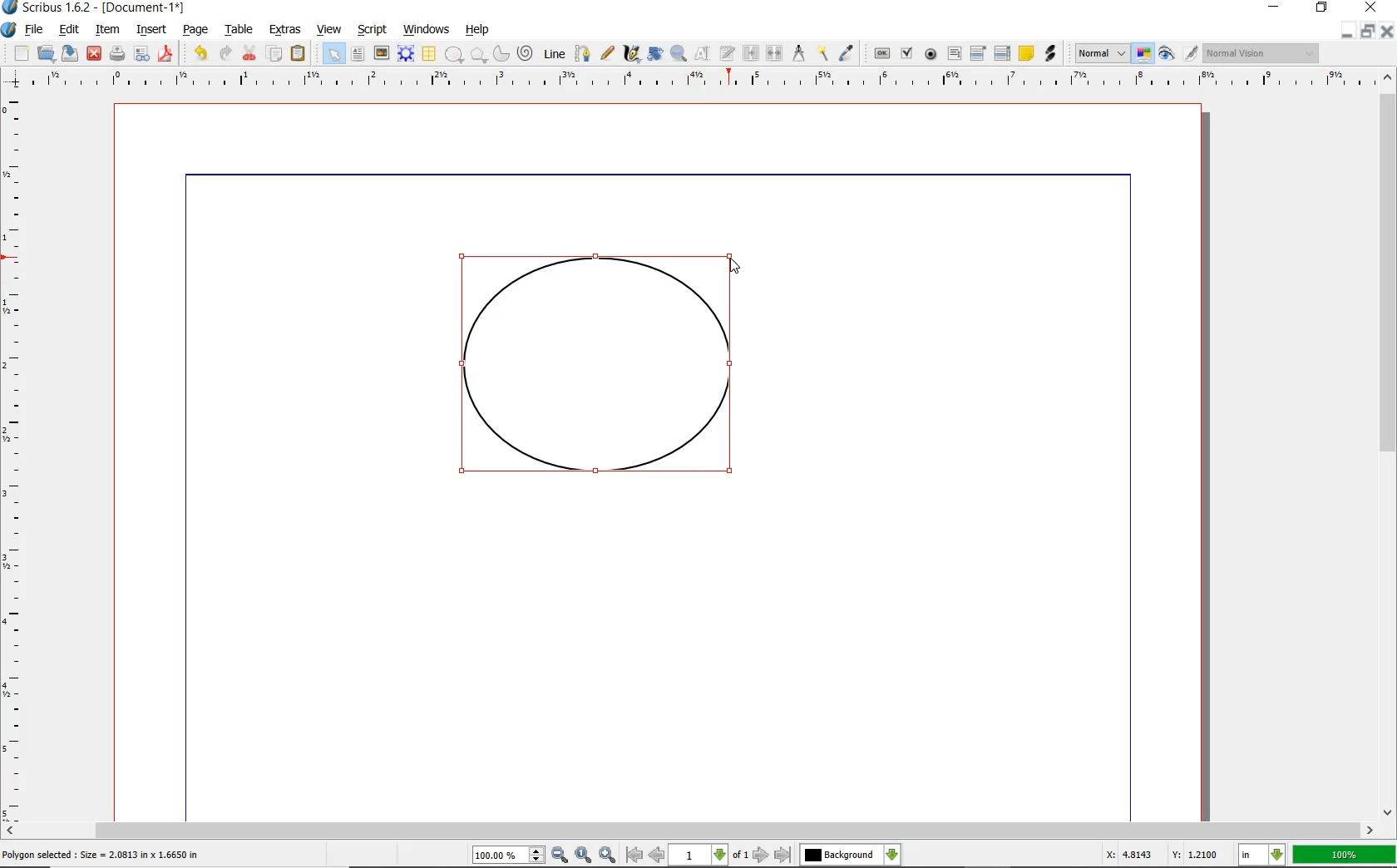  I want to click on EDIT CONTENTS OF FRAME, so click(702, 52).